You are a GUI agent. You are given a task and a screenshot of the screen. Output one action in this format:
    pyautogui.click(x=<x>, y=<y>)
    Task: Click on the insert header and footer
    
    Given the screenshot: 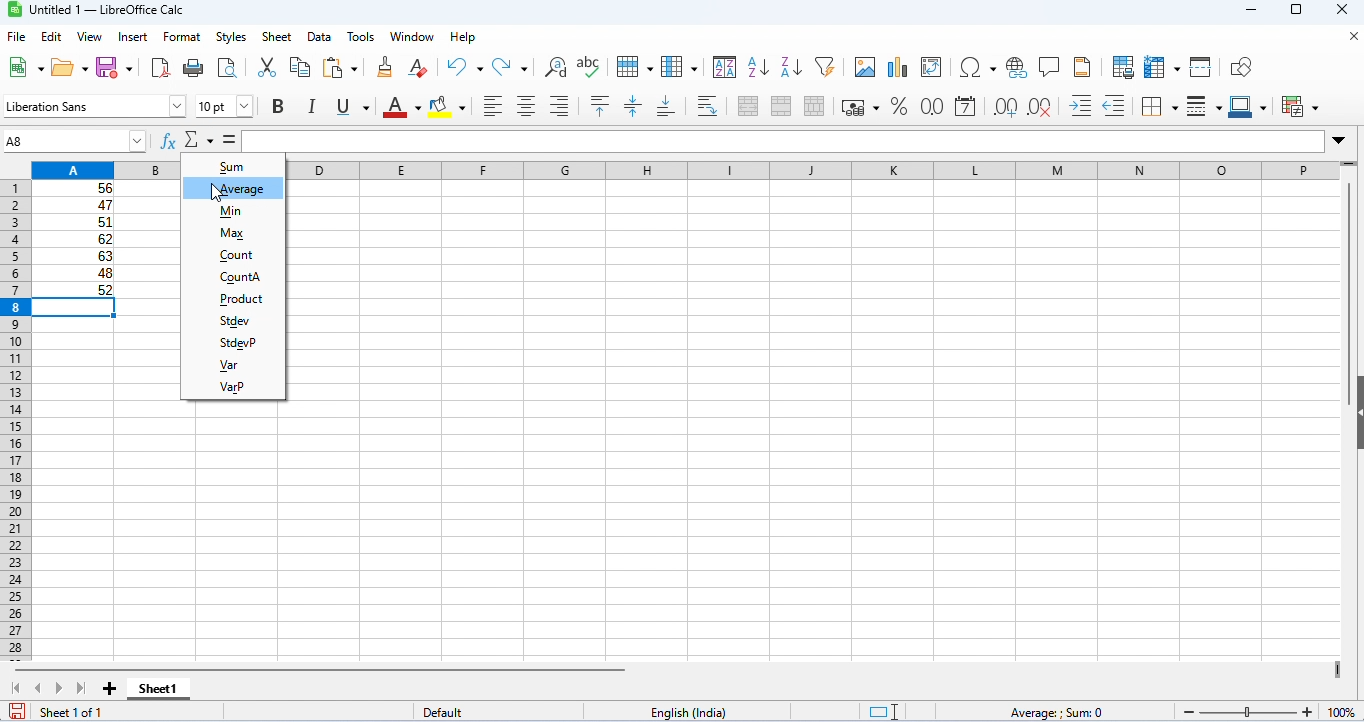 What is the action you would take?
    pyautogui.click(x=1082, y=67)
    